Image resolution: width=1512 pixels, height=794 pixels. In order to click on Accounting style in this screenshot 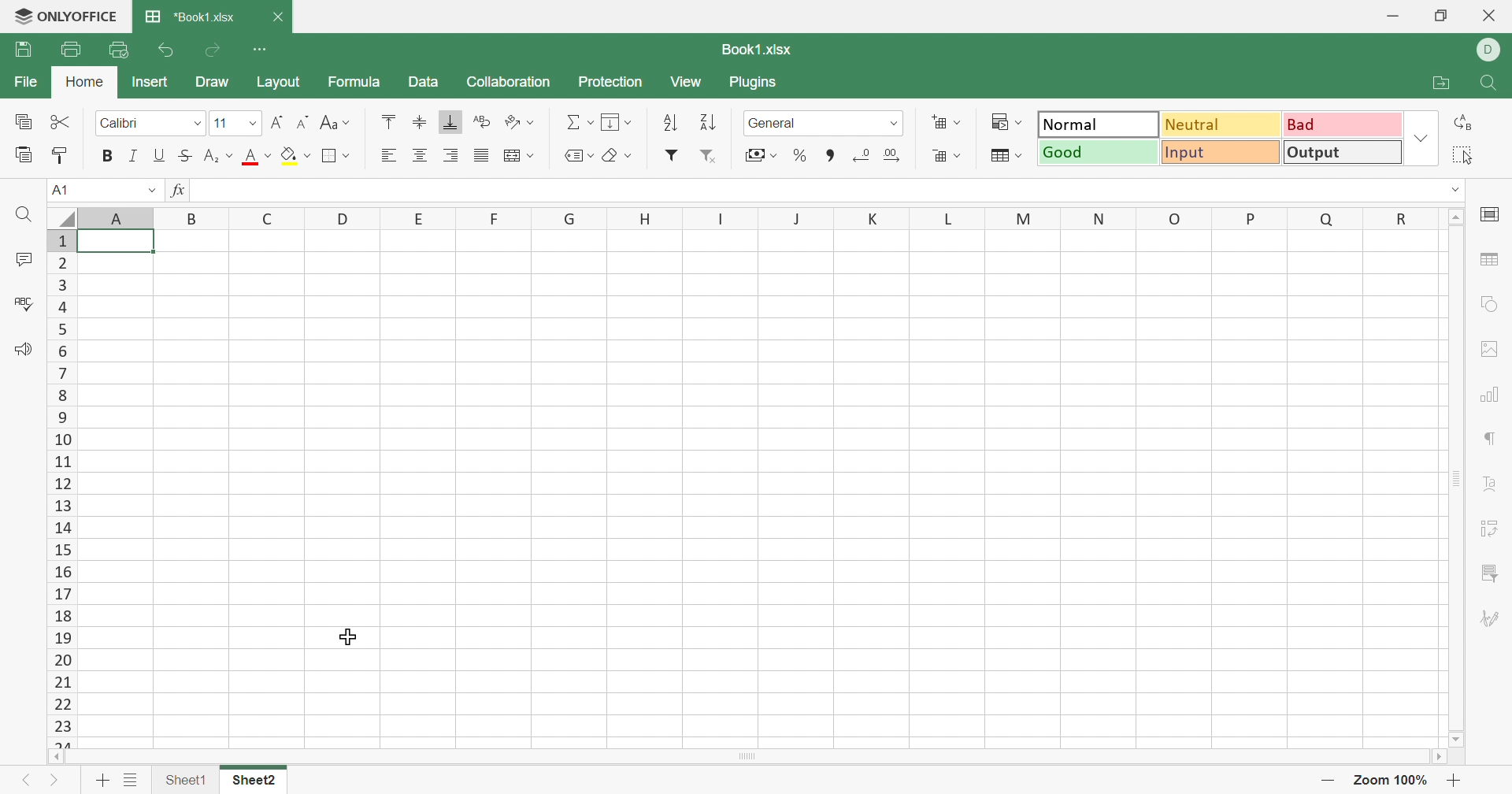, I will do `click(760, 154)`.